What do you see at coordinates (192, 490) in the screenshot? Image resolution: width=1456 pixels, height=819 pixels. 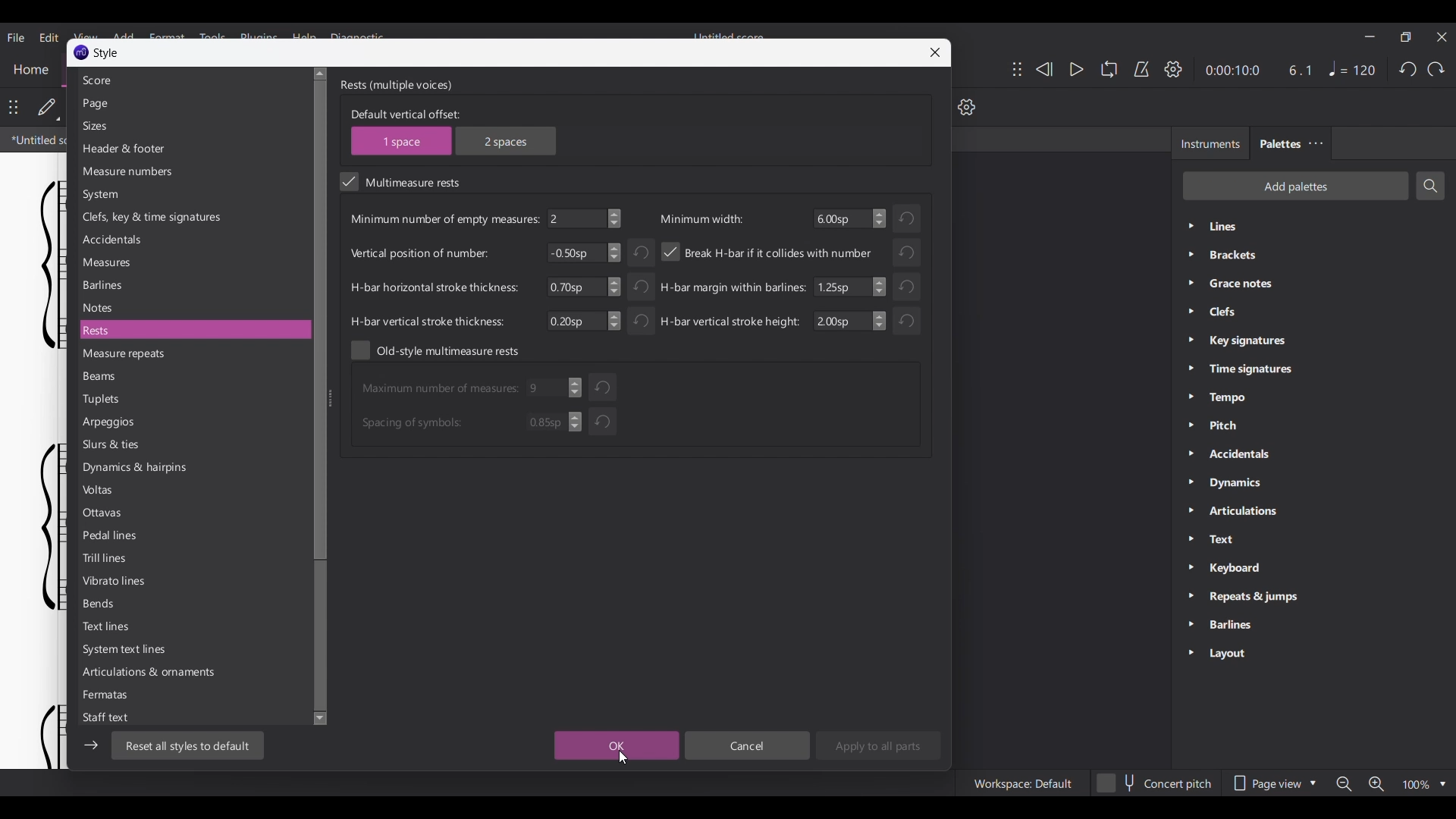 I see `Voltas` at bounding box center [192, 490].